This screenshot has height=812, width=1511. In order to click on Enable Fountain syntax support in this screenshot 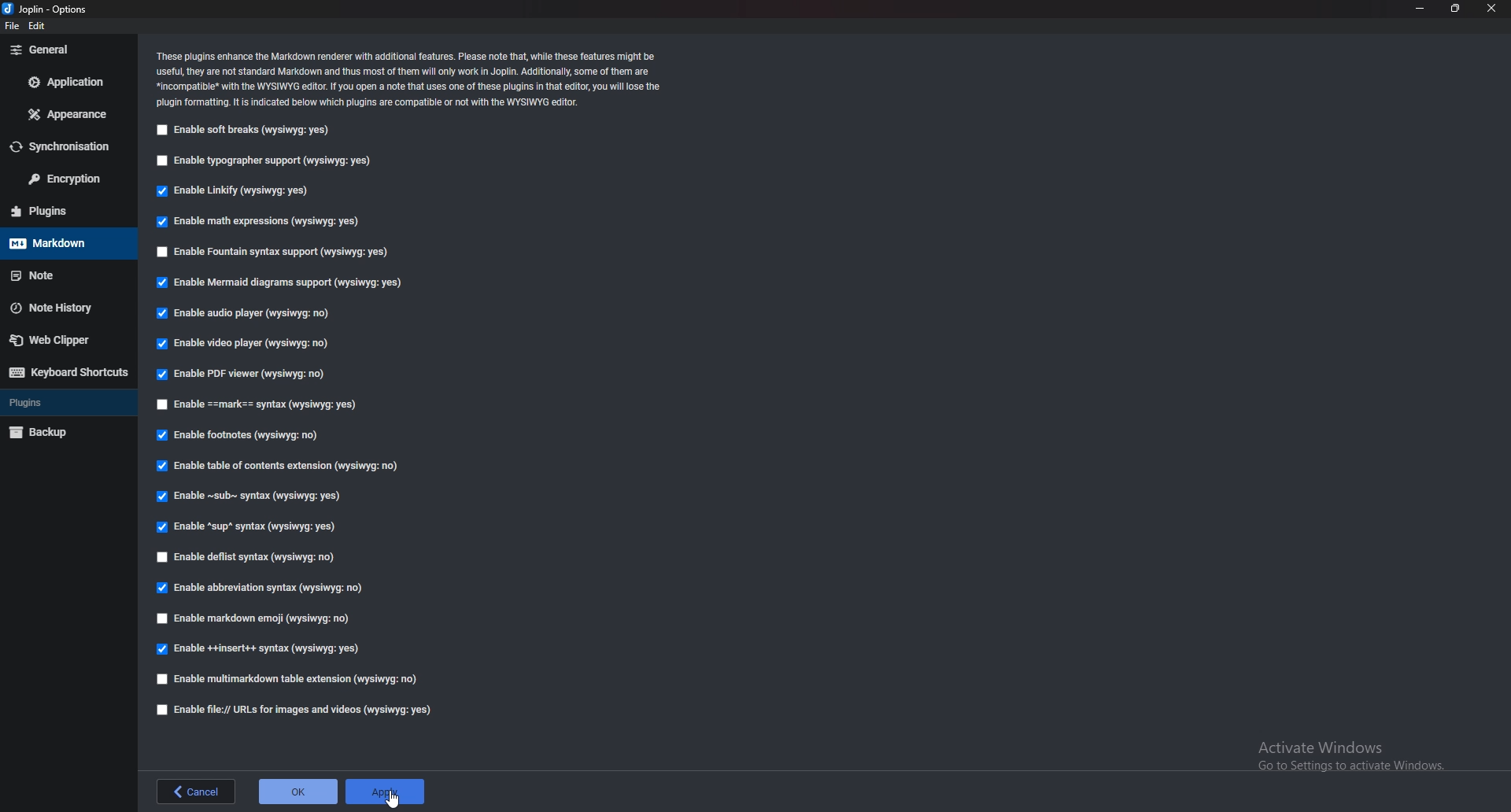, I will do `click(278, 252)`.